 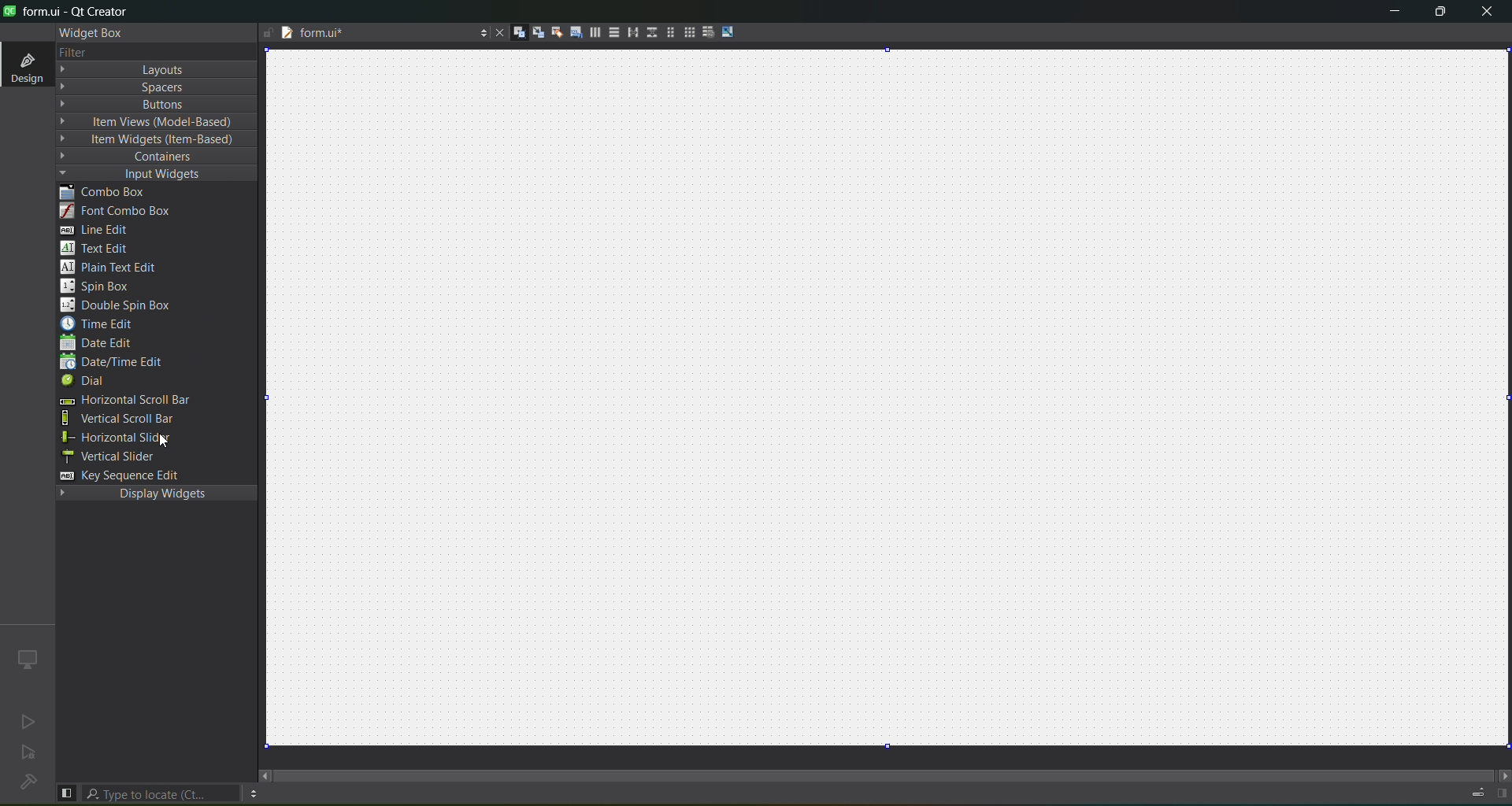 What do you see at coordinates (112, 457) in the screenshot?
I see `vertical slider` at bounding box center [112, 457].